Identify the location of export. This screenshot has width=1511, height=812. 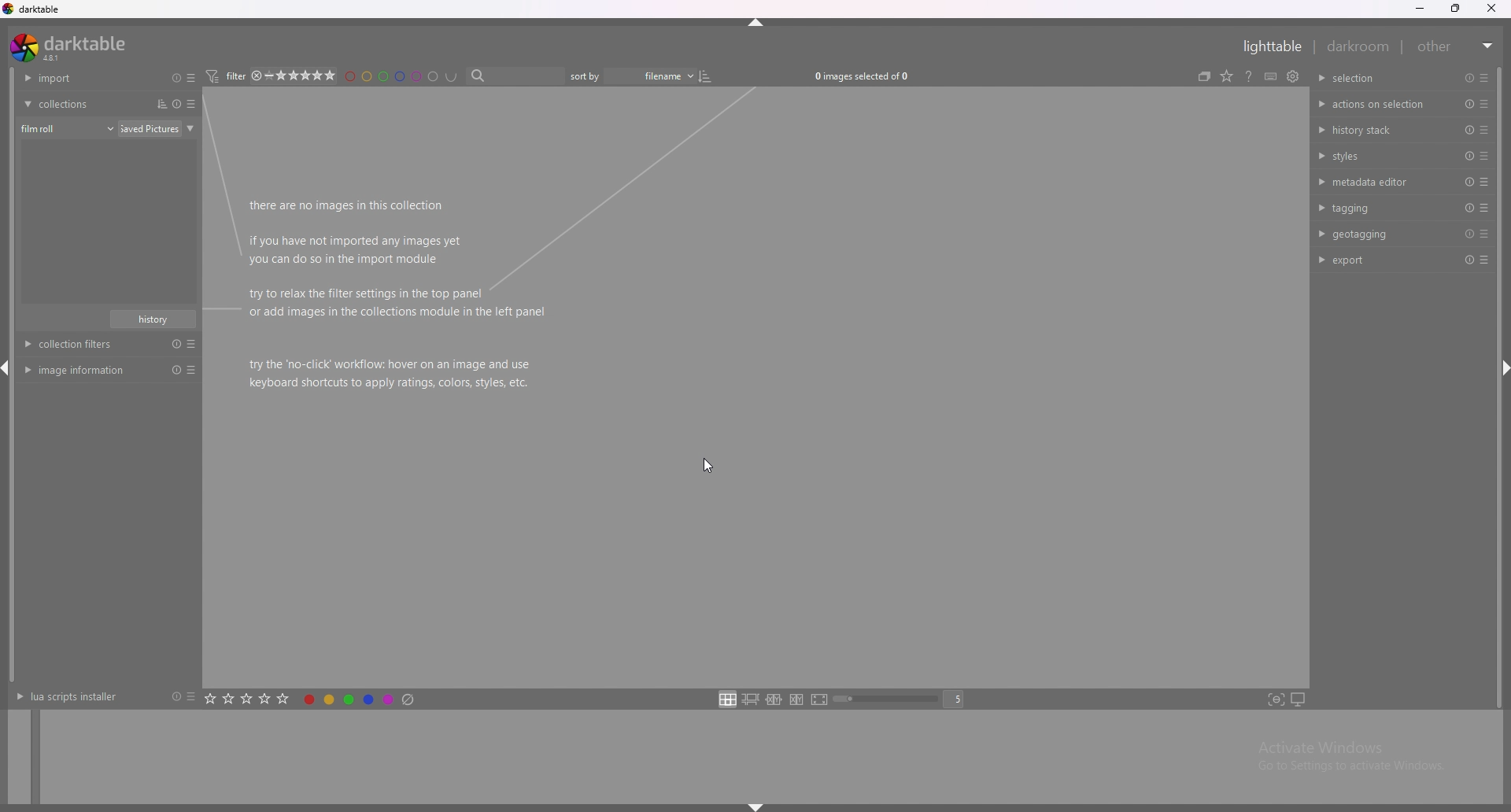
(1376, 260).